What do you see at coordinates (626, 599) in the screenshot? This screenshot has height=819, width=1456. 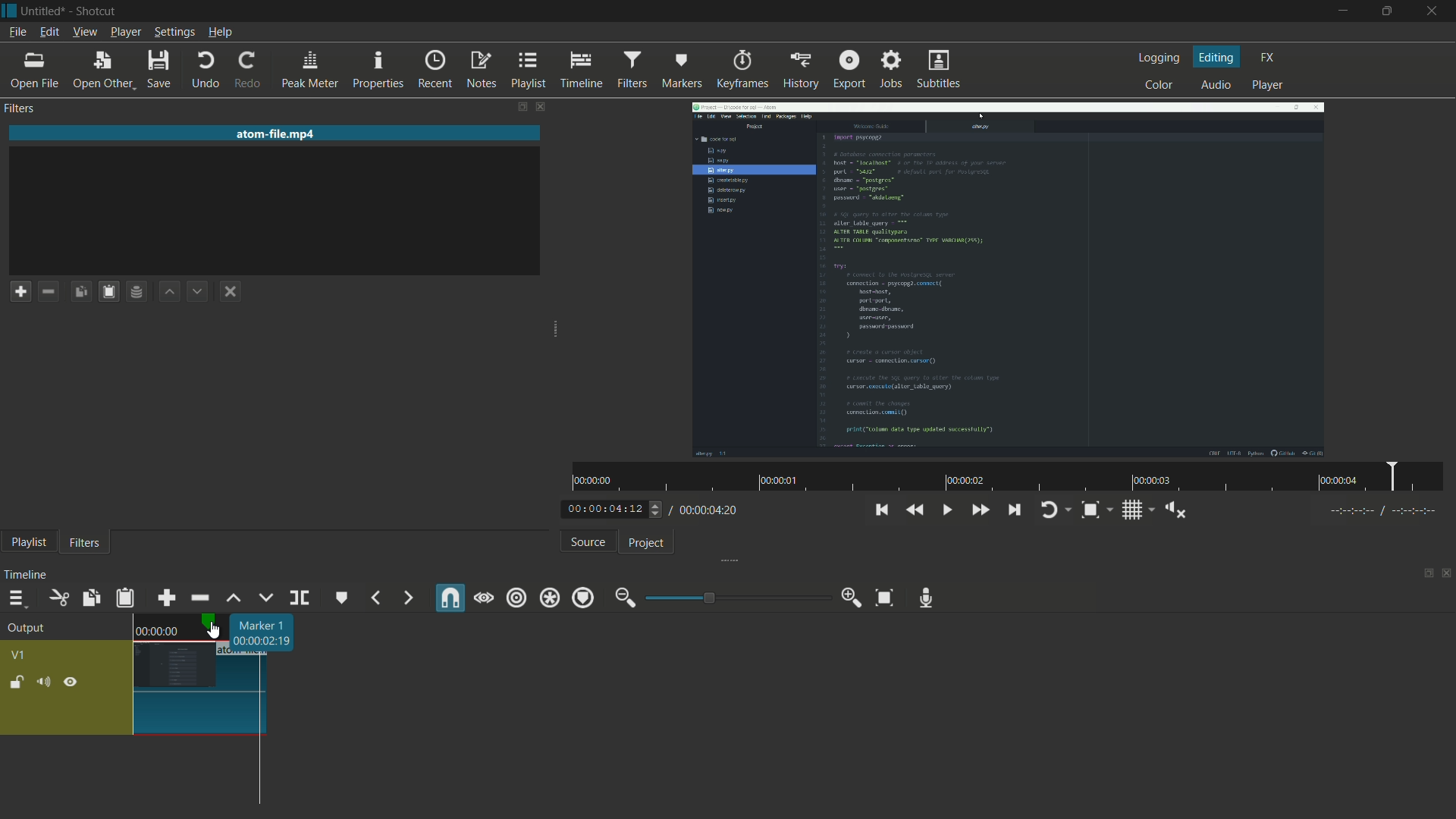 I see `zoom out` at bounding box center [626, 599].